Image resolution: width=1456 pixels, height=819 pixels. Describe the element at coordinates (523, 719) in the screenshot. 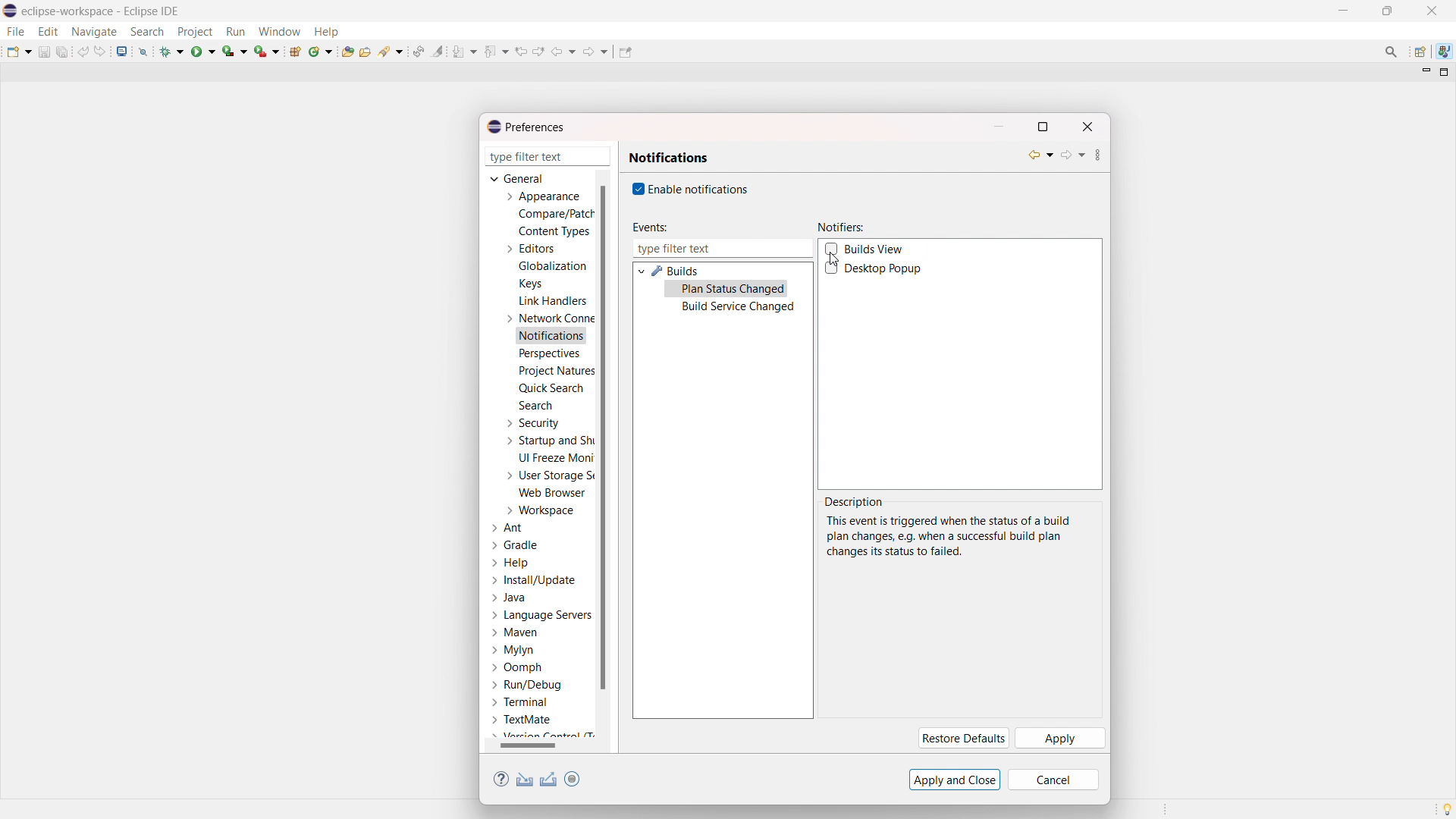

I see `textmate` at that location.